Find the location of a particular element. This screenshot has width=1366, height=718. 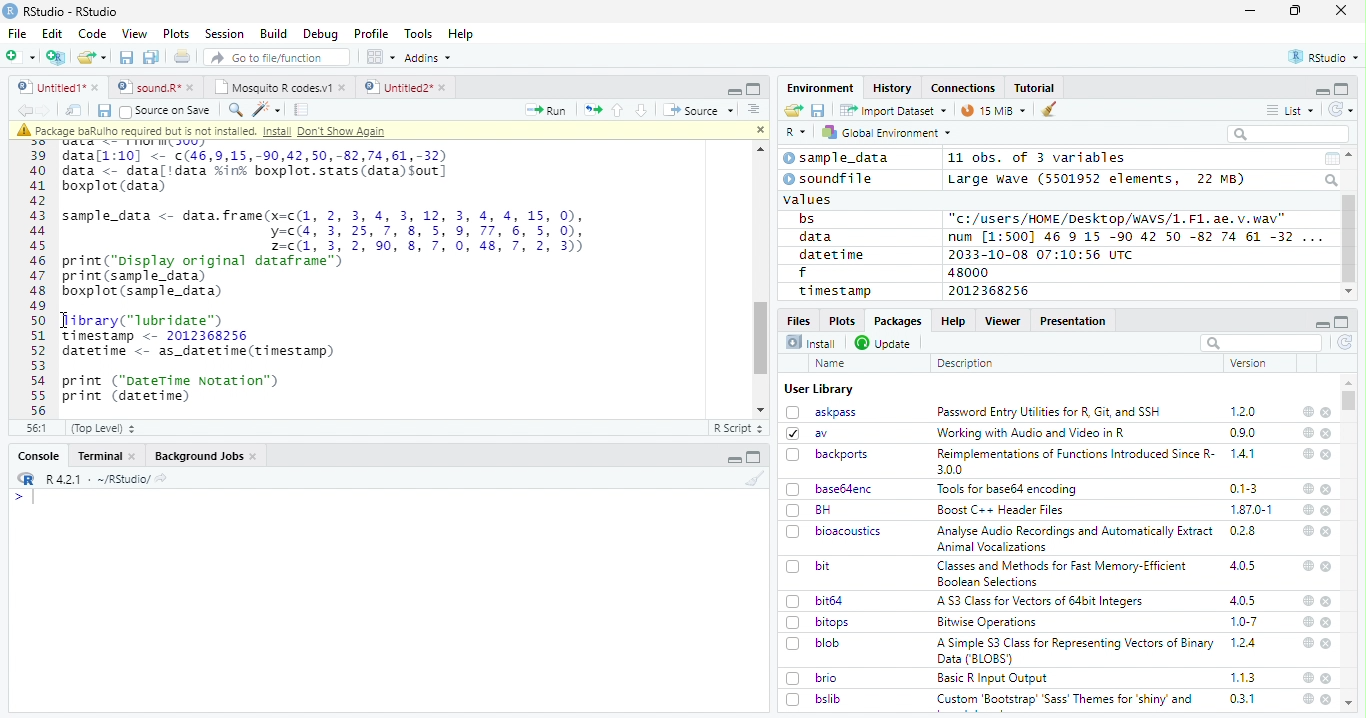

scroll bar is located at coordinates (1350, 400).